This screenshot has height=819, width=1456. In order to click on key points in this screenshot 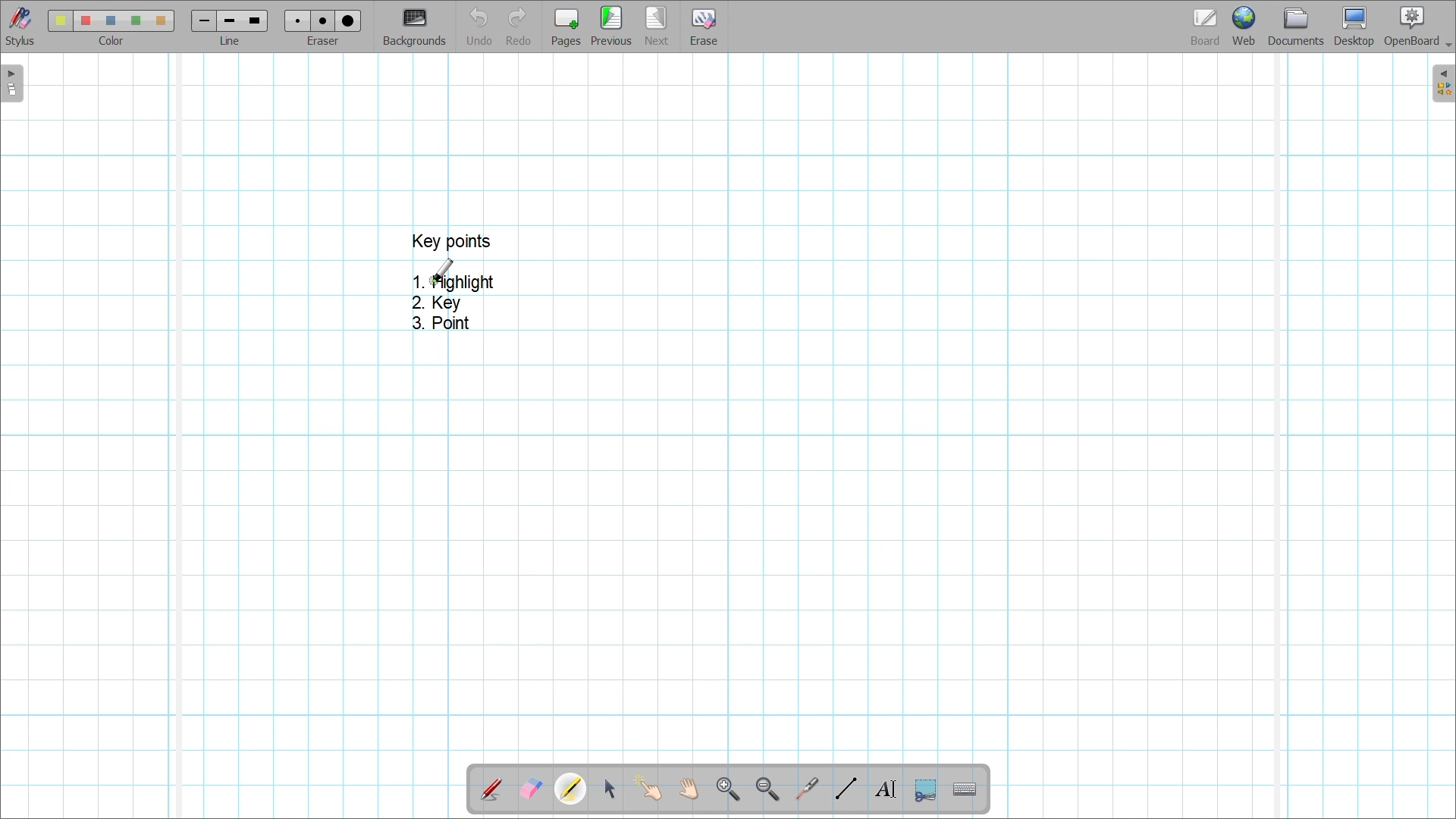, I will do `click(450, 241)`.